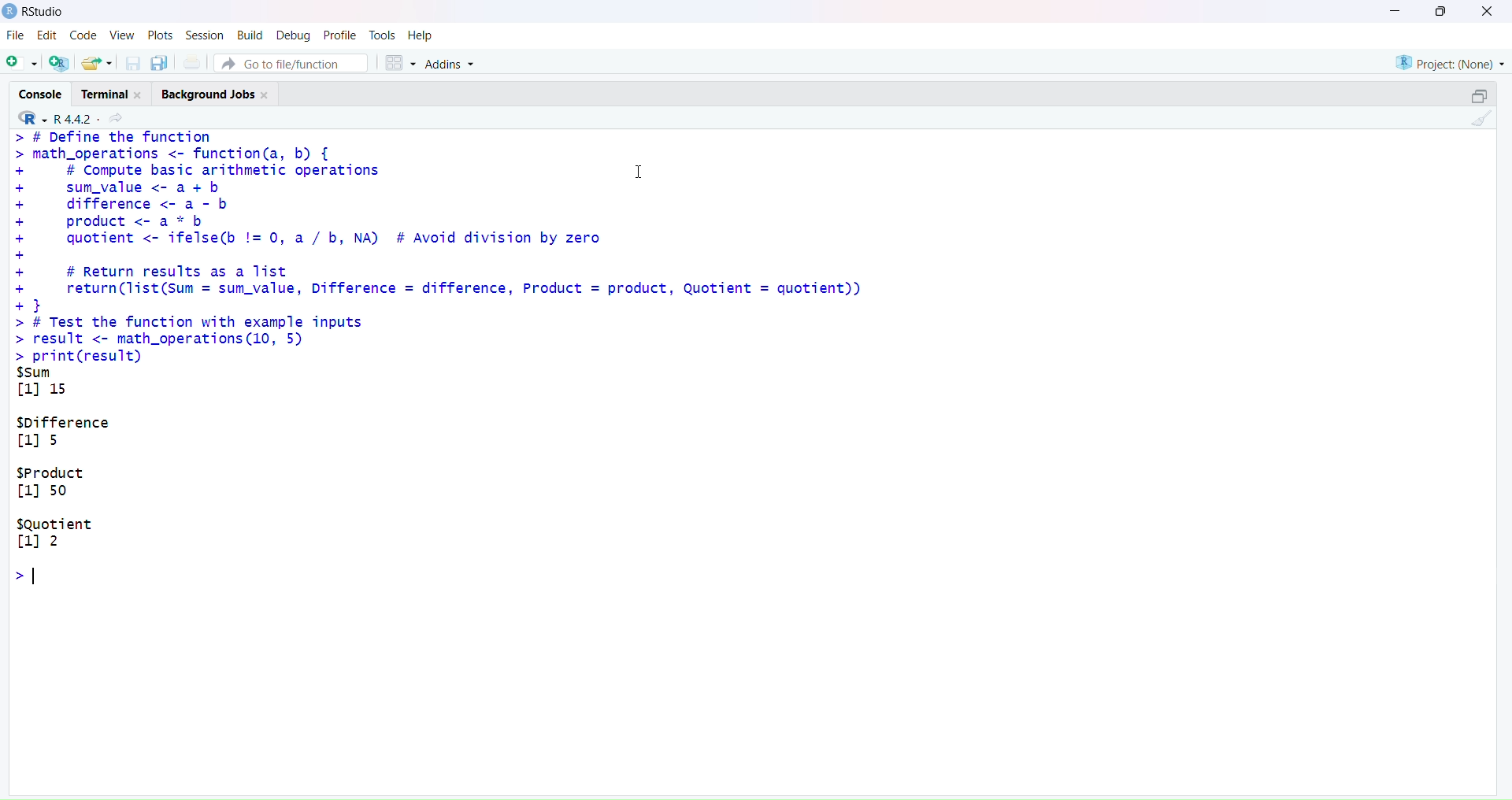  I want to click on Addins, so click(451, 65).